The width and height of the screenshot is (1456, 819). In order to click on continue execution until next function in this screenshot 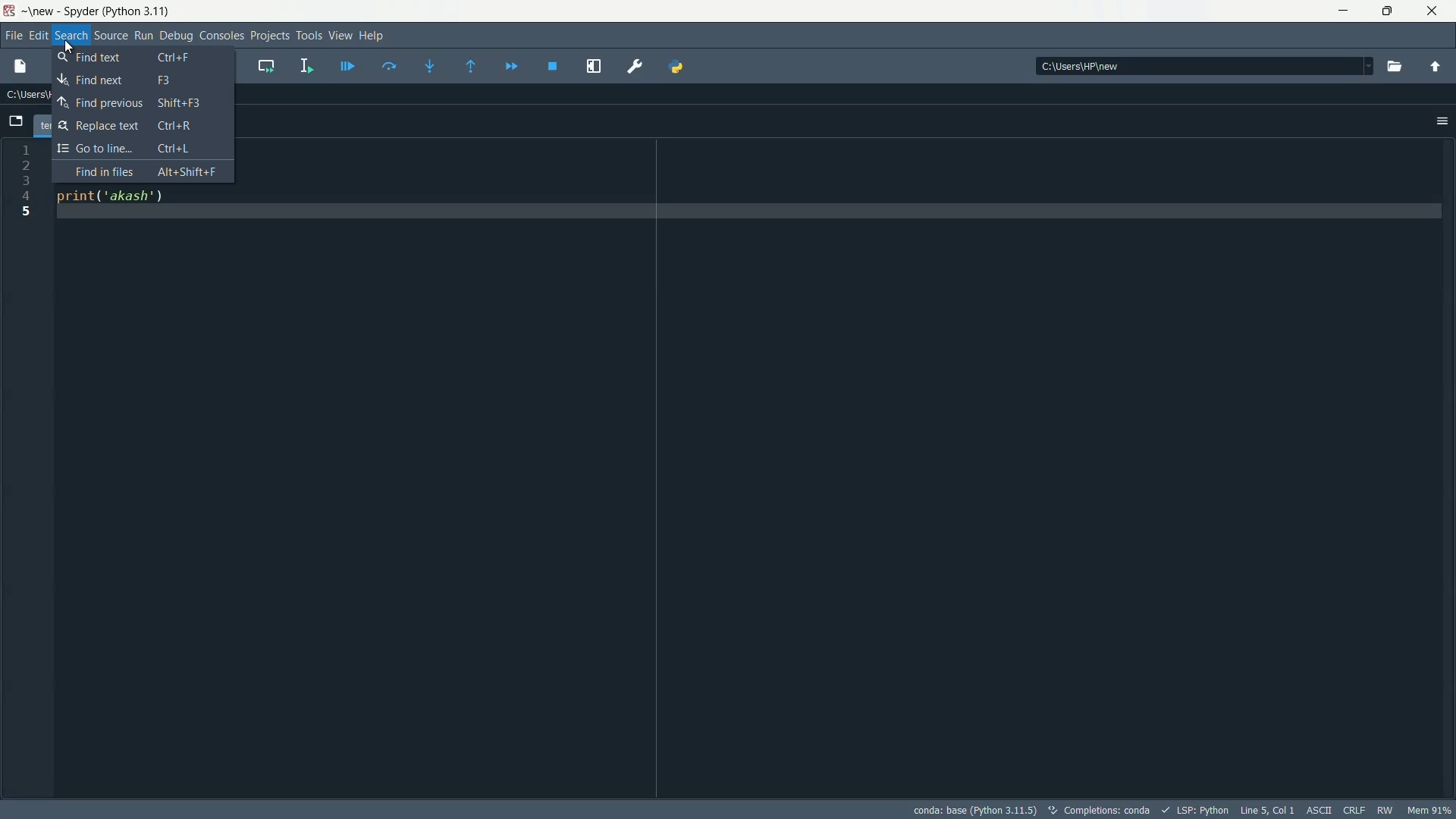, I will do `click(471, 66)`.